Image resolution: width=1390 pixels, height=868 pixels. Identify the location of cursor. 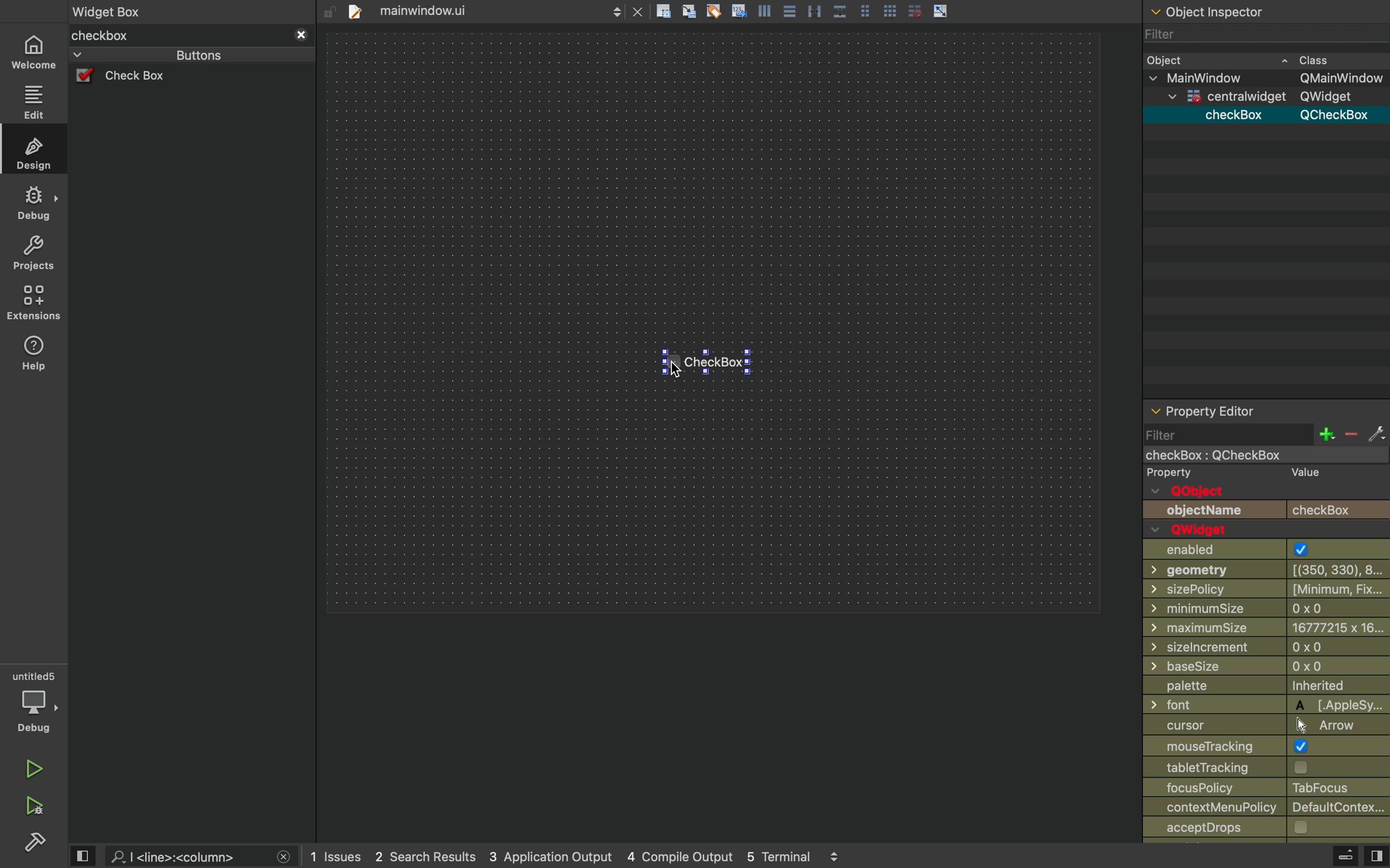
(1261, 724).